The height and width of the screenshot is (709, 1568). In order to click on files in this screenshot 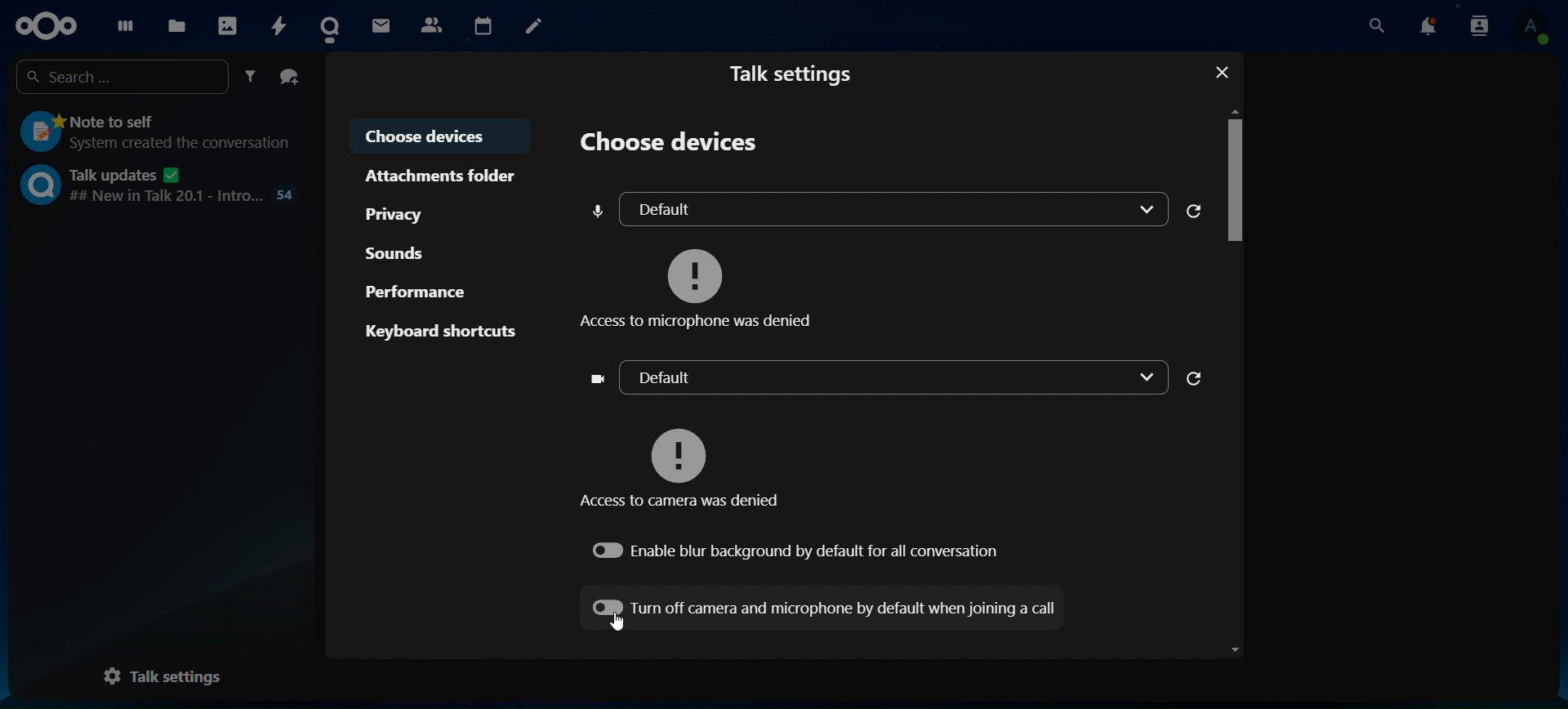, I will do `click(176, 24)`.